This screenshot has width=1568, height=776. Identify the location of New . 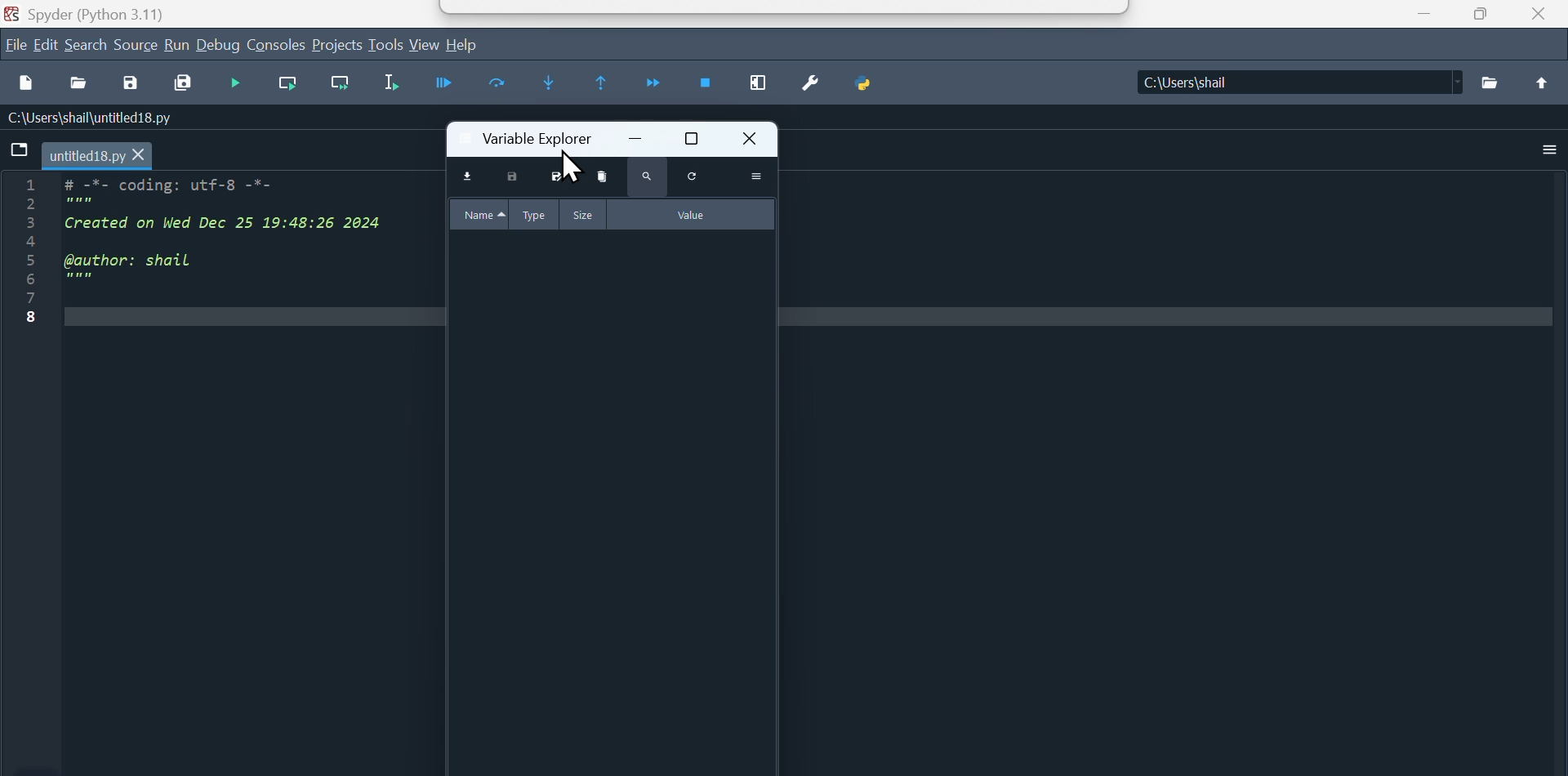
(24, 83).